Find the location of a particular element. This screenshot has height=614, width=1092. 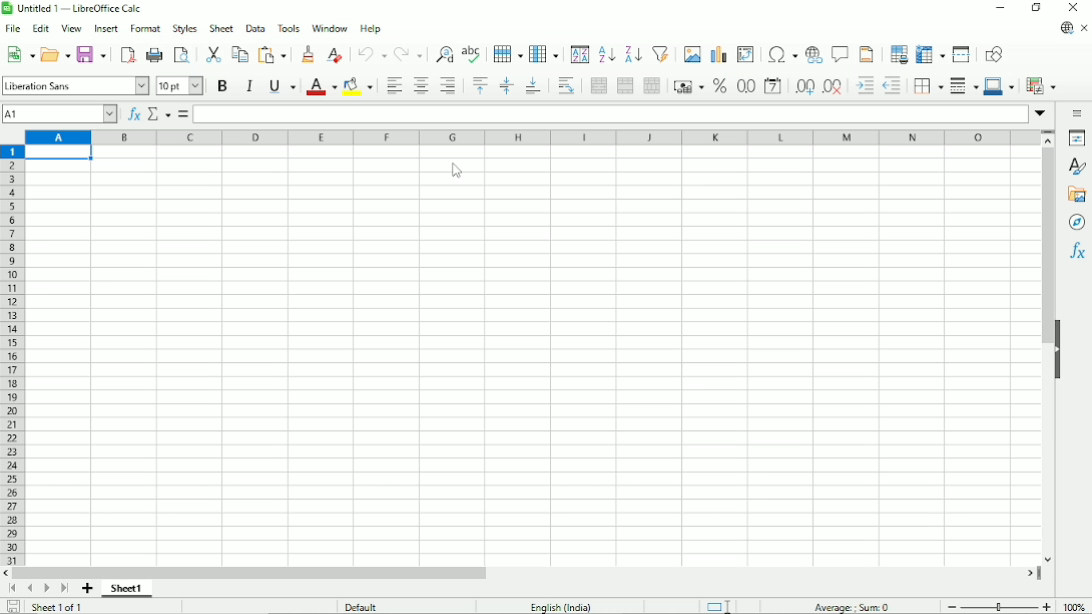

Clear direct formatting is located at coordinates (335, 56).